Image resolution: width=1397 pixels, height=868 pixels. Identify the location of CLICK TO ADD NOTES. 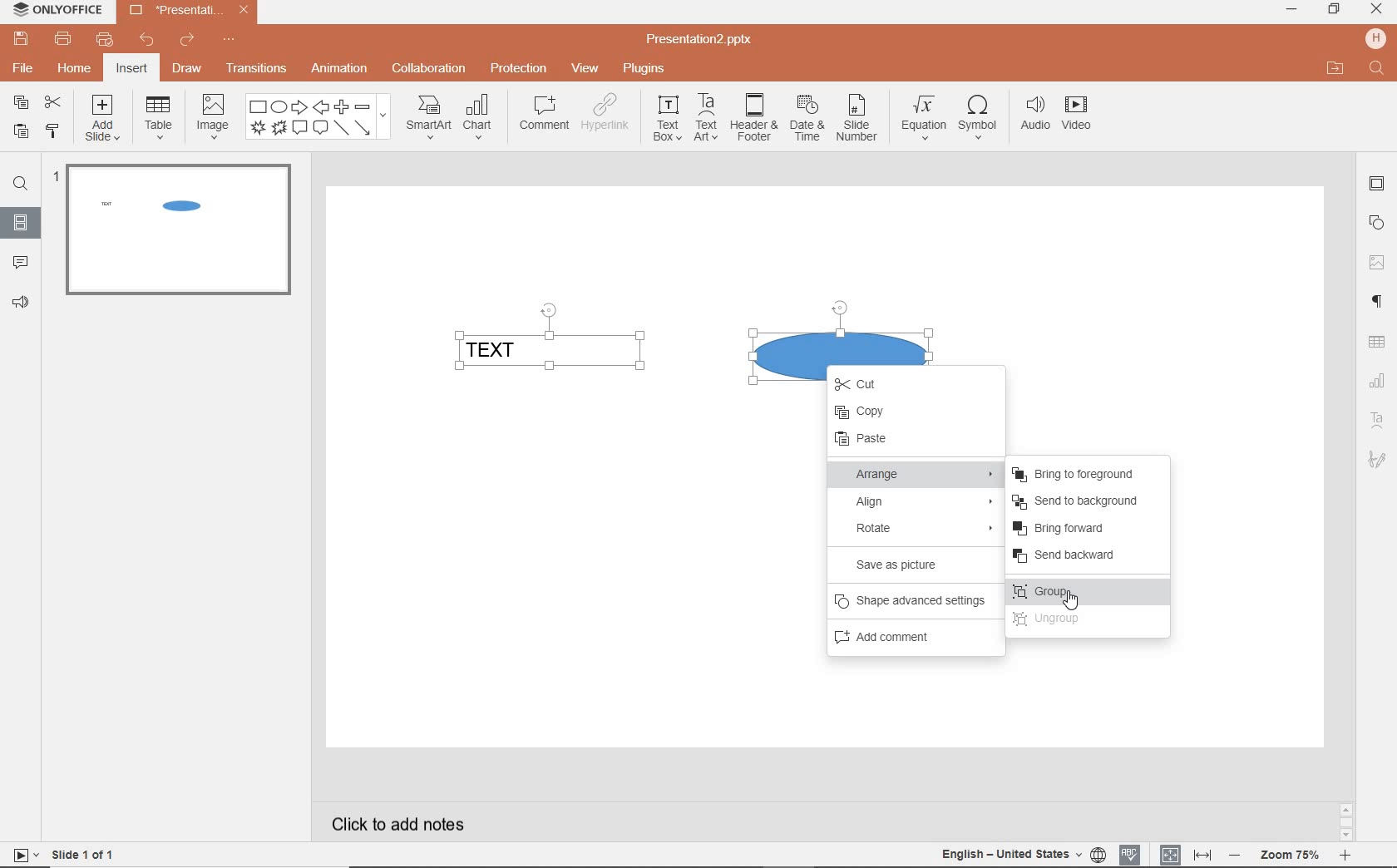
(402, 822).